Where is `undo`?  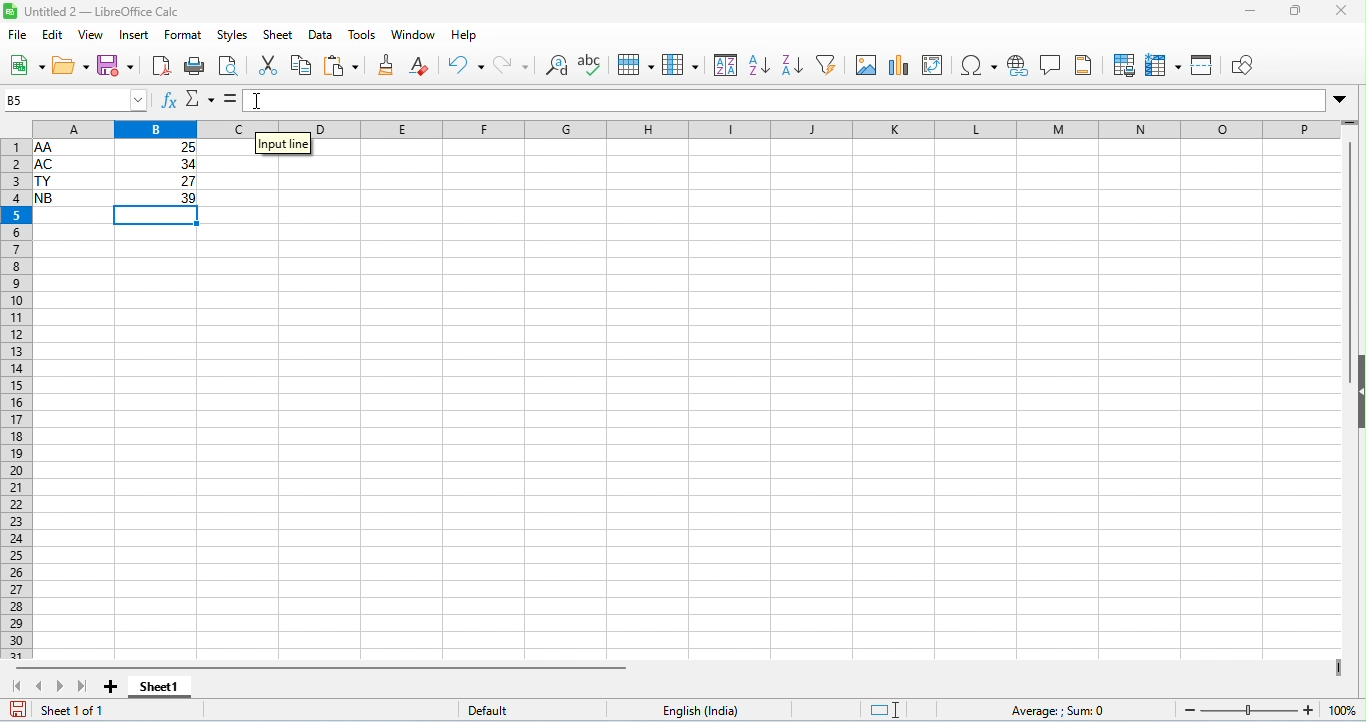 undo is located at coordinates (467, 64).